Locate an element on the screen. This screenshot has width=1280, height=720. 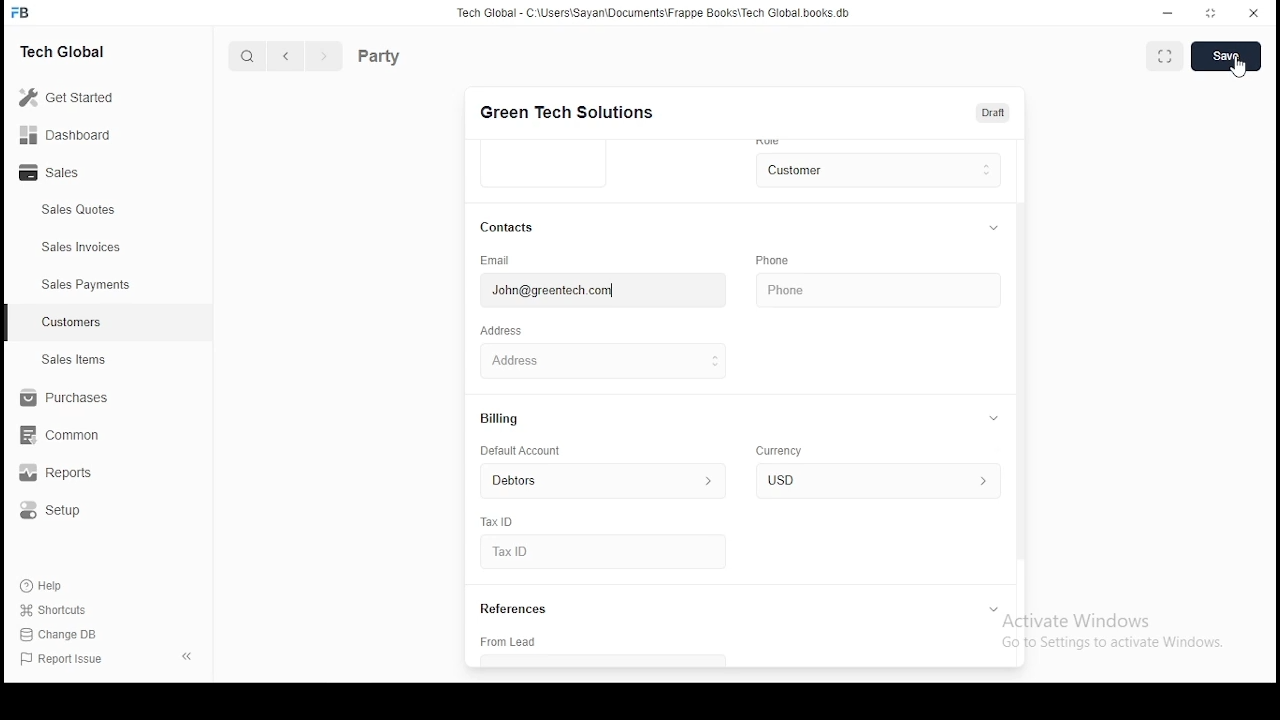
default account is located at coordinates (522, 451).